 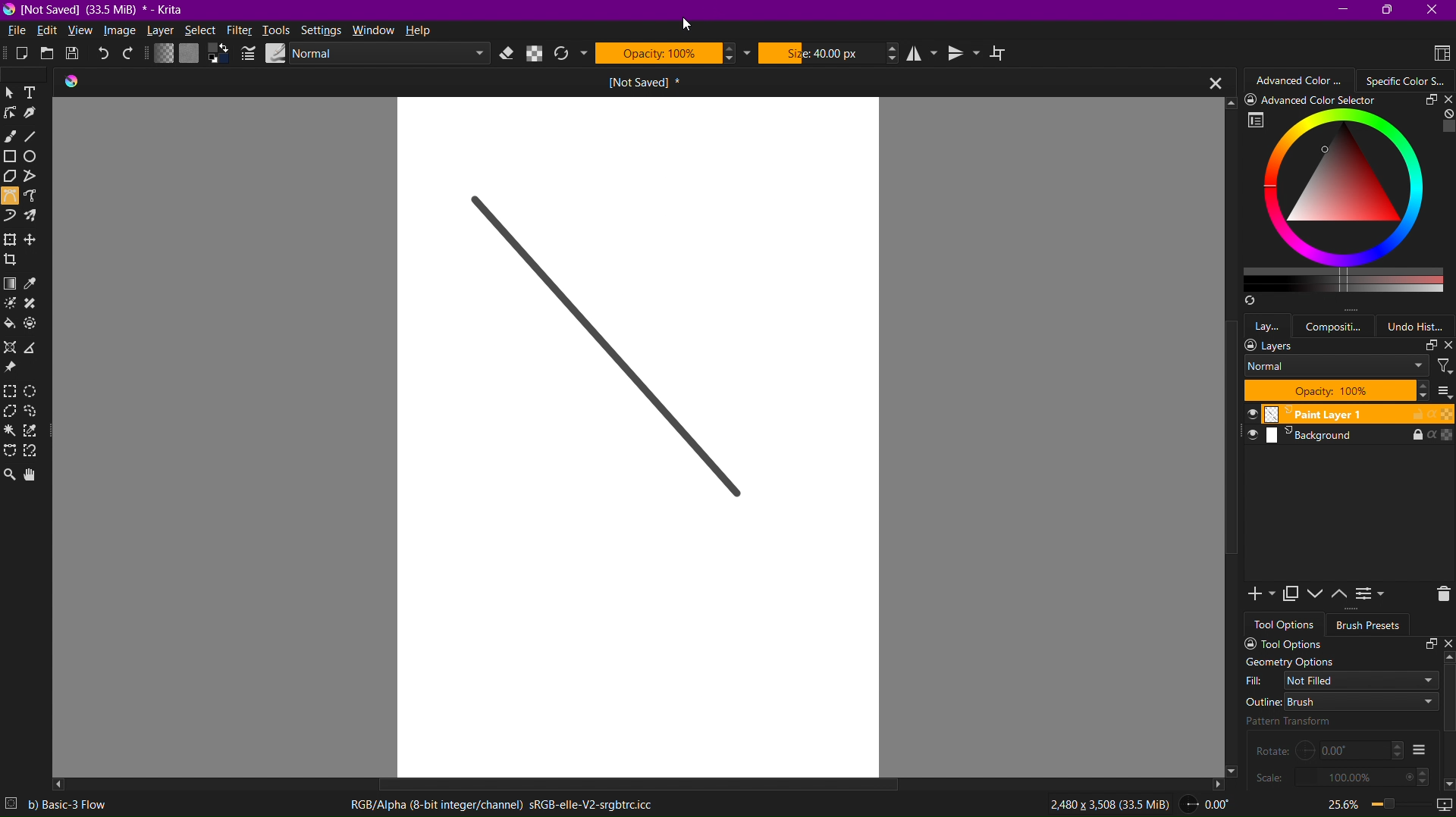 What do you see at coordinates (1444, 365) in the screenshot?
I see `Filters` at bounding box center [1444, 365].